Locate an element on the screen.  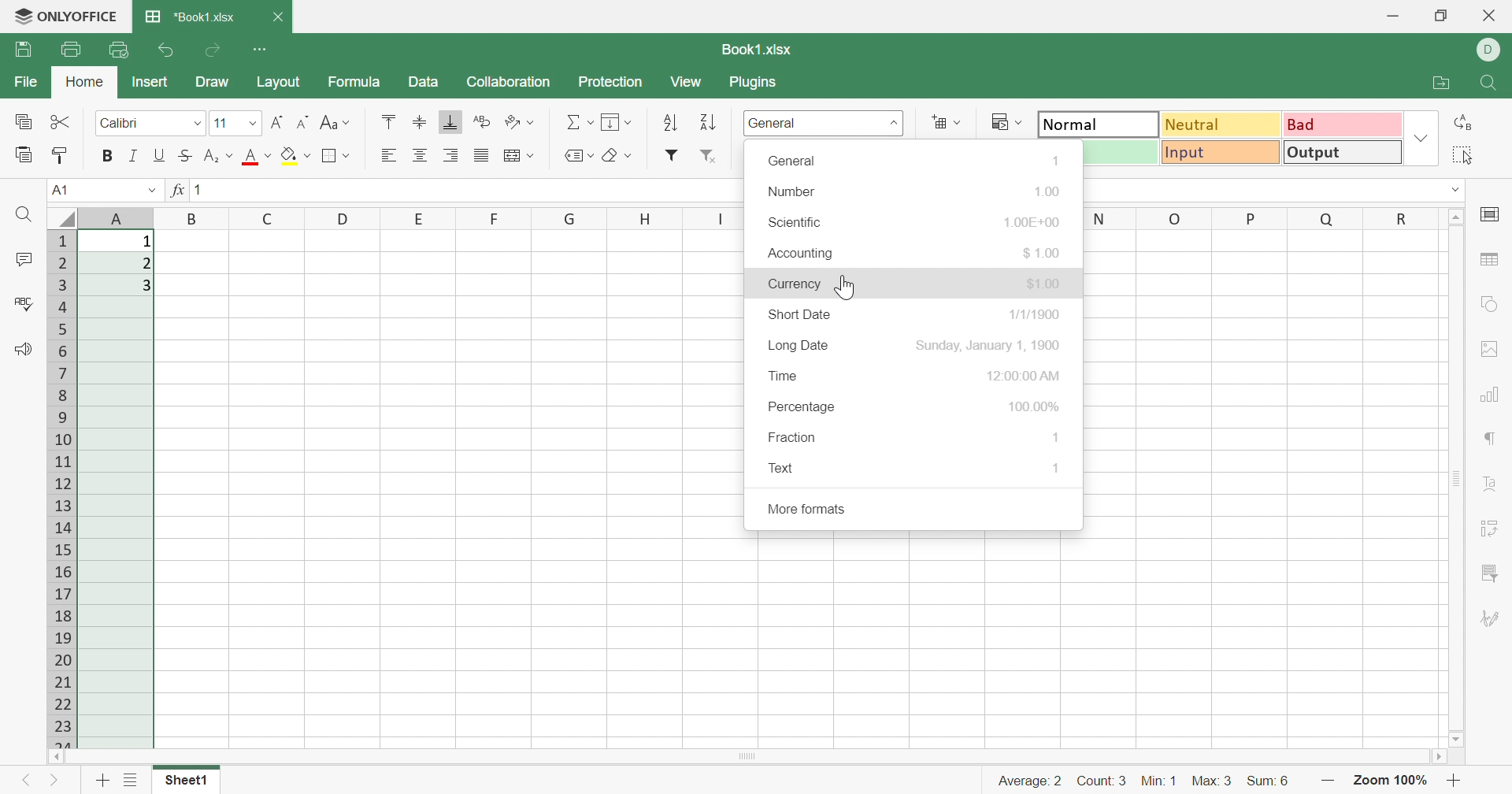
1 is located at coordinates (204, 191).